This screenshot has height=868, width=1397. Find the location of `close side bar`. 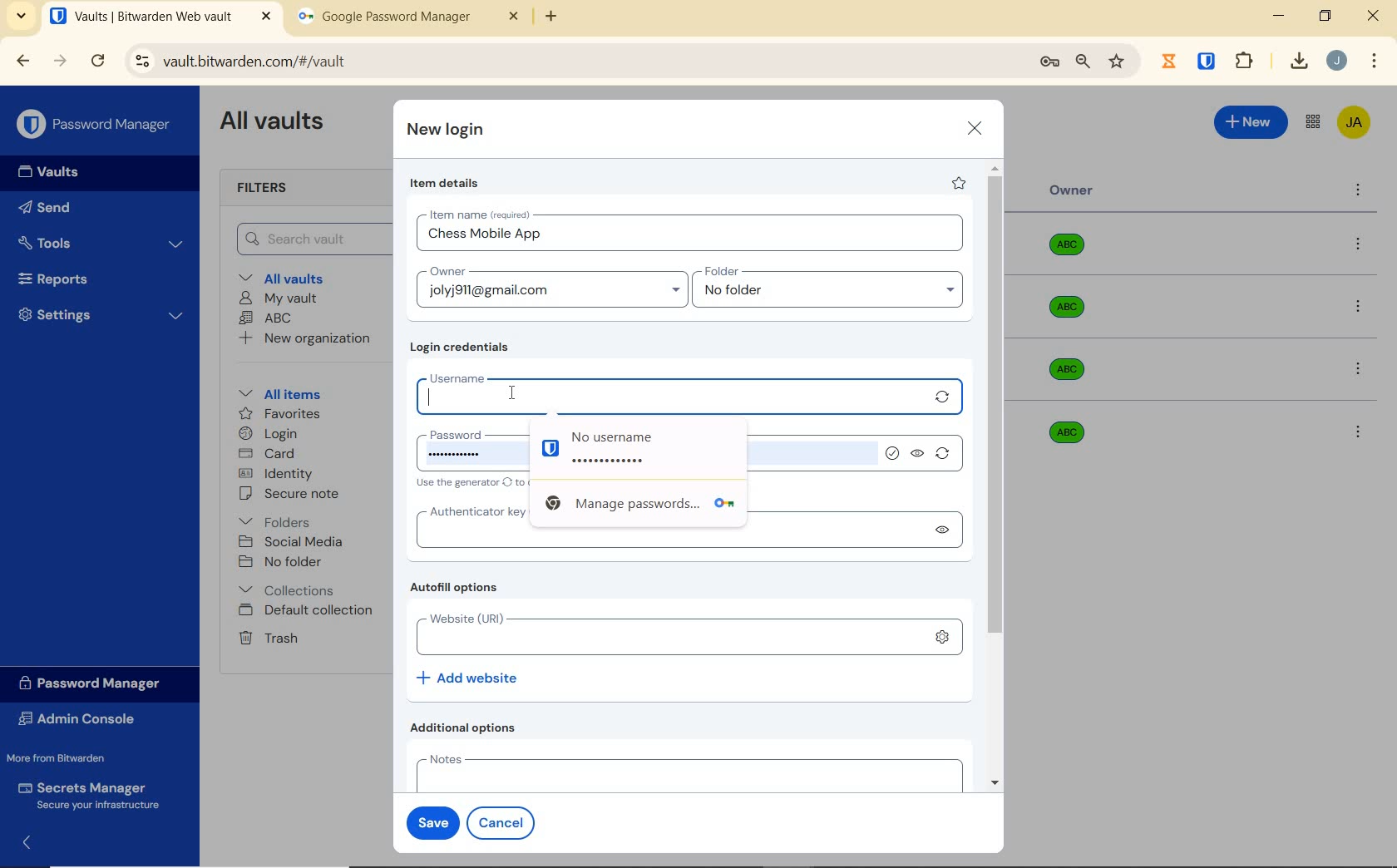

close side bar is located at coordinates (33, 849).